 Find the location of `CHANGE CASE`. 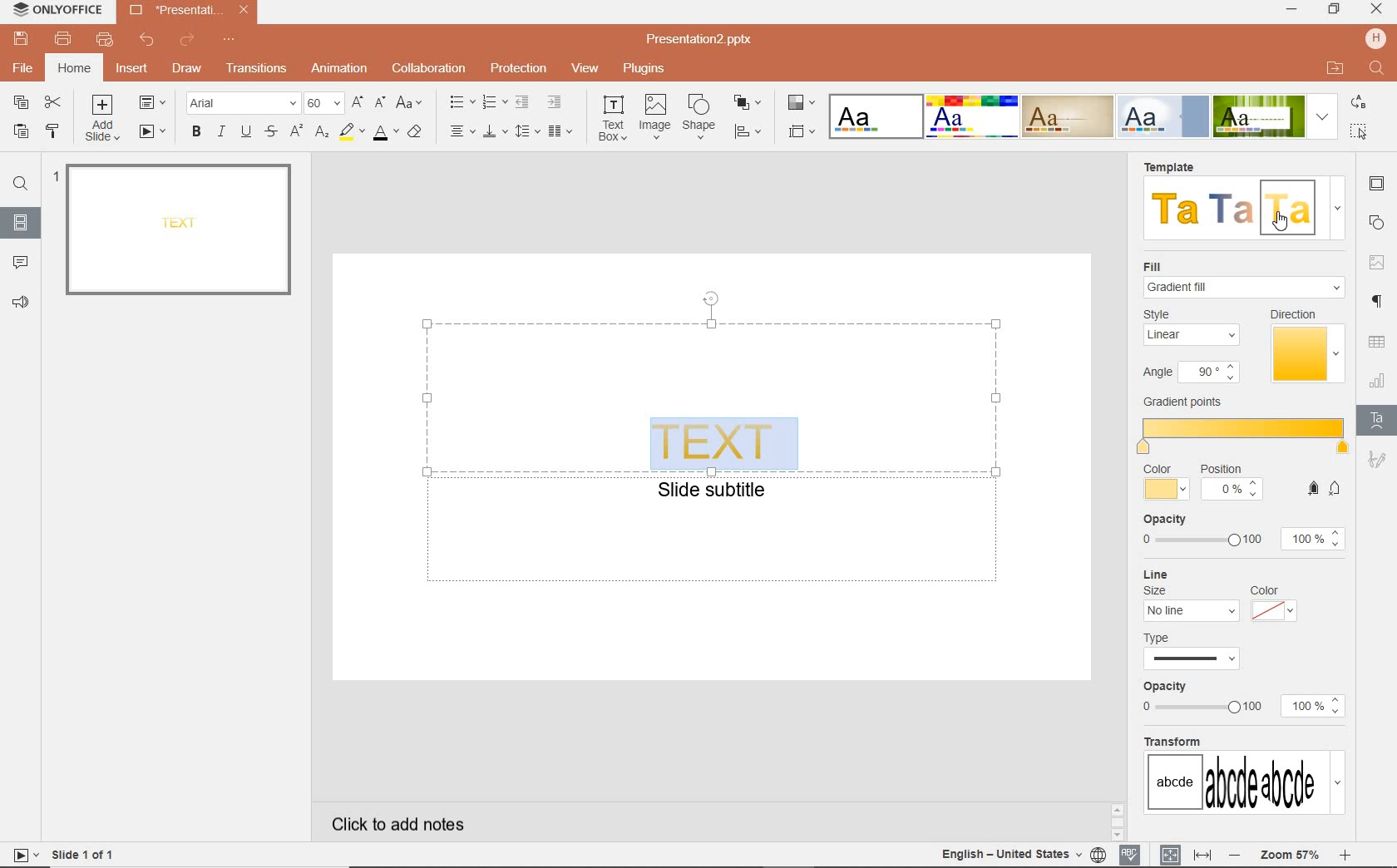

CHANGE CASE is located at coordinates (410, 103).